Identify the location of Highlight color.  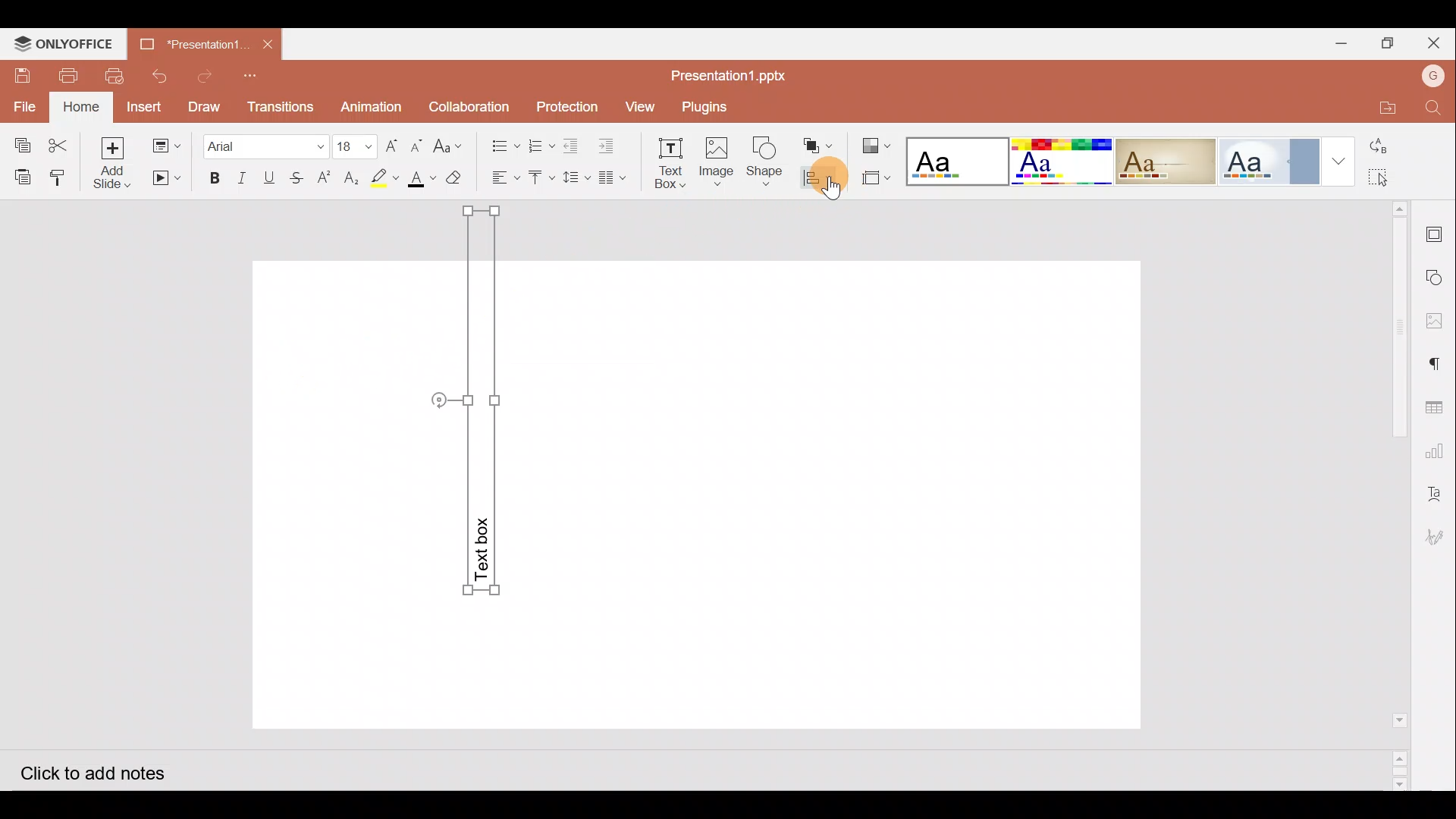
(381, 177).